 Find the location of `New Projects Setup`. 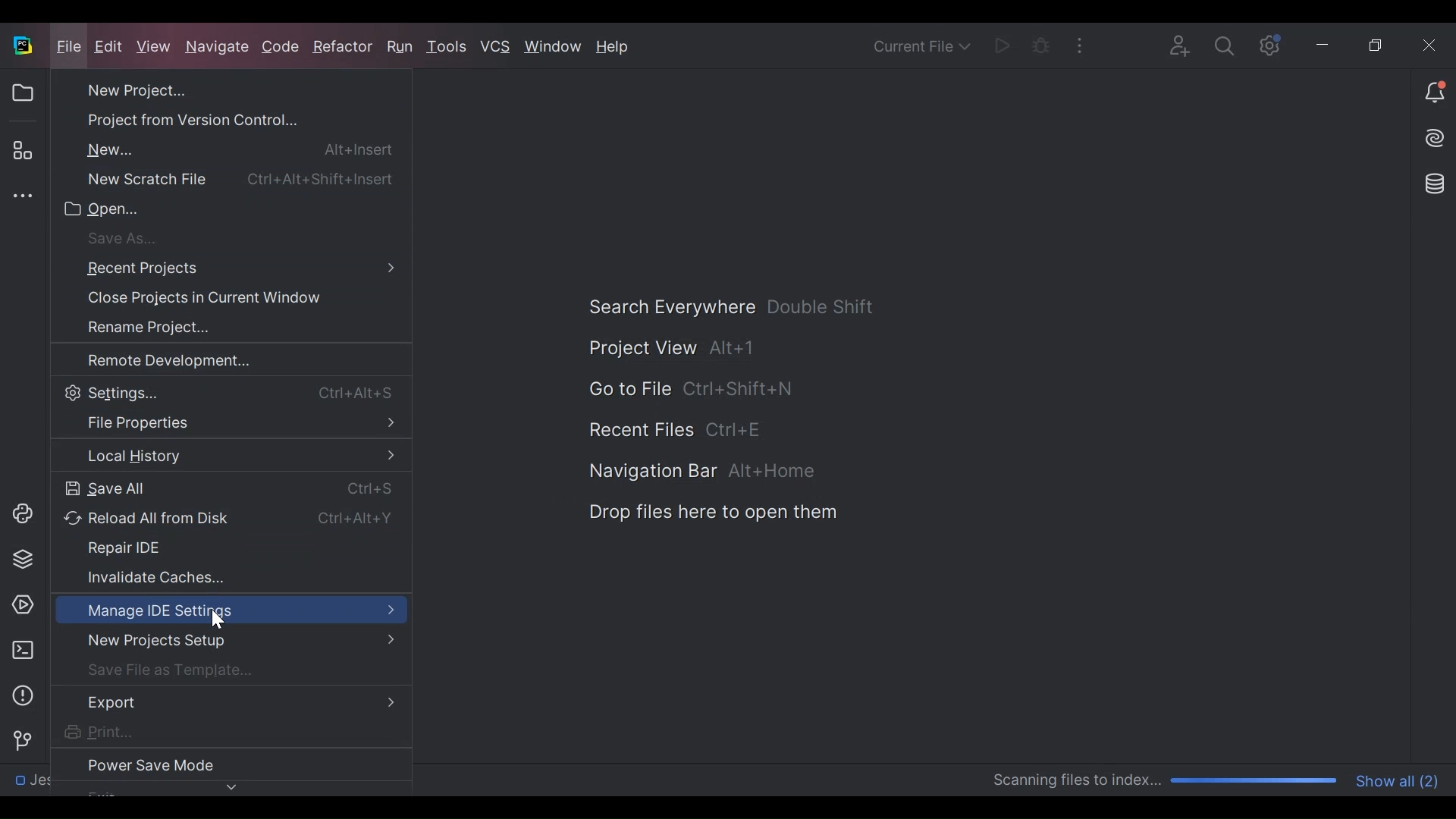

New Projects Setup is located at coordinates (226, 641).